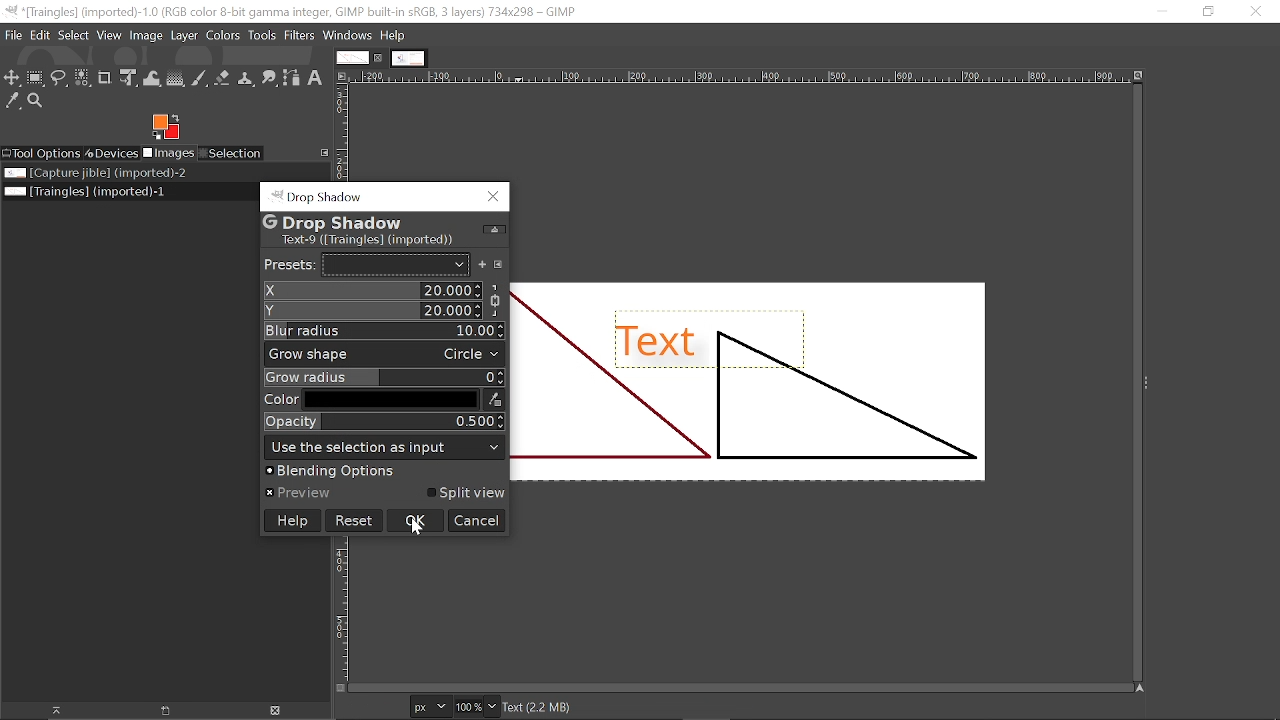 The image size is (1280, 720). What do you see at coordinates (60, 77) in the screenshot?
I see `Free select` at bounding box center [60, 77].